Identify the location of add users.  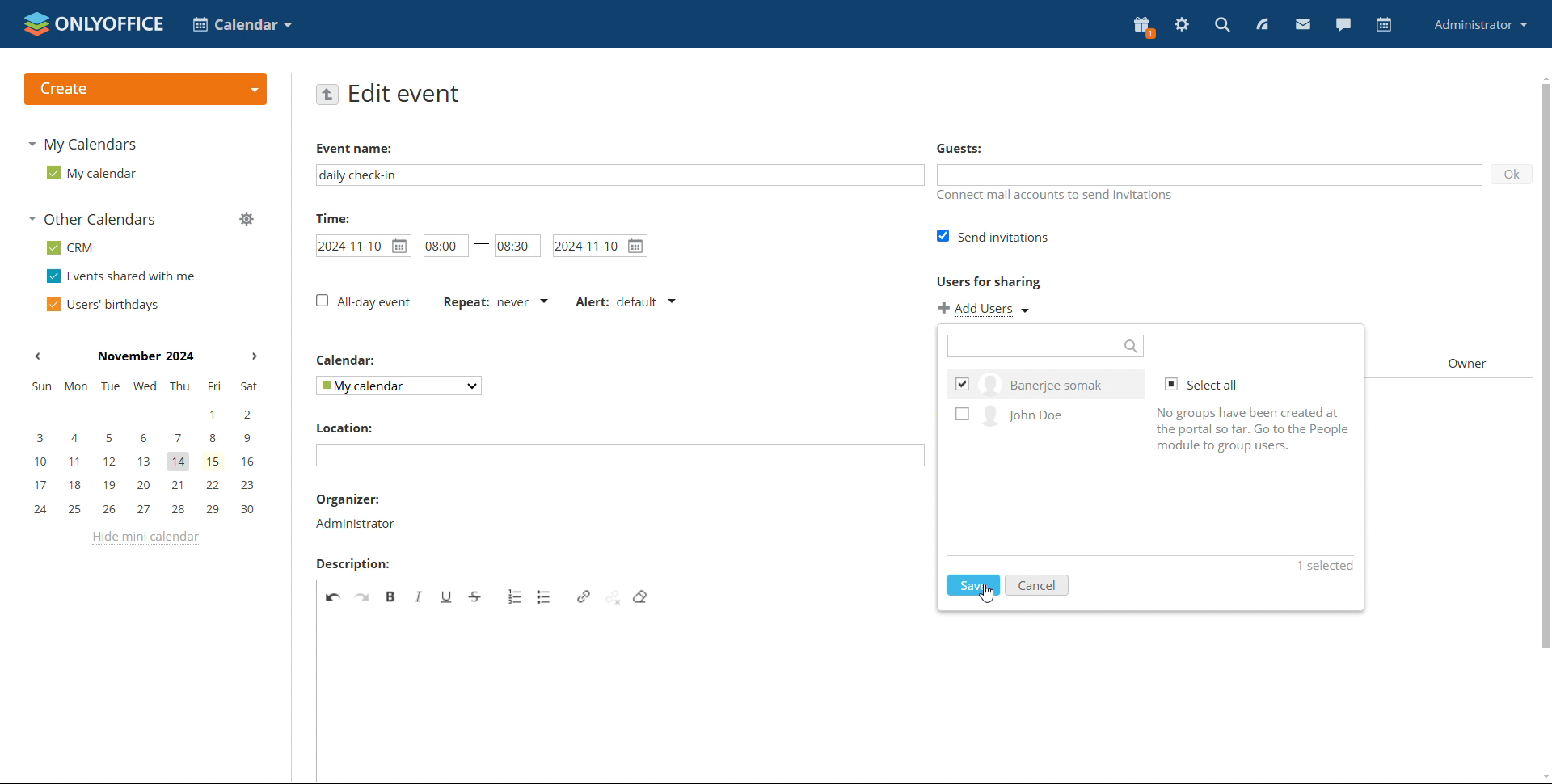
(986, 309).